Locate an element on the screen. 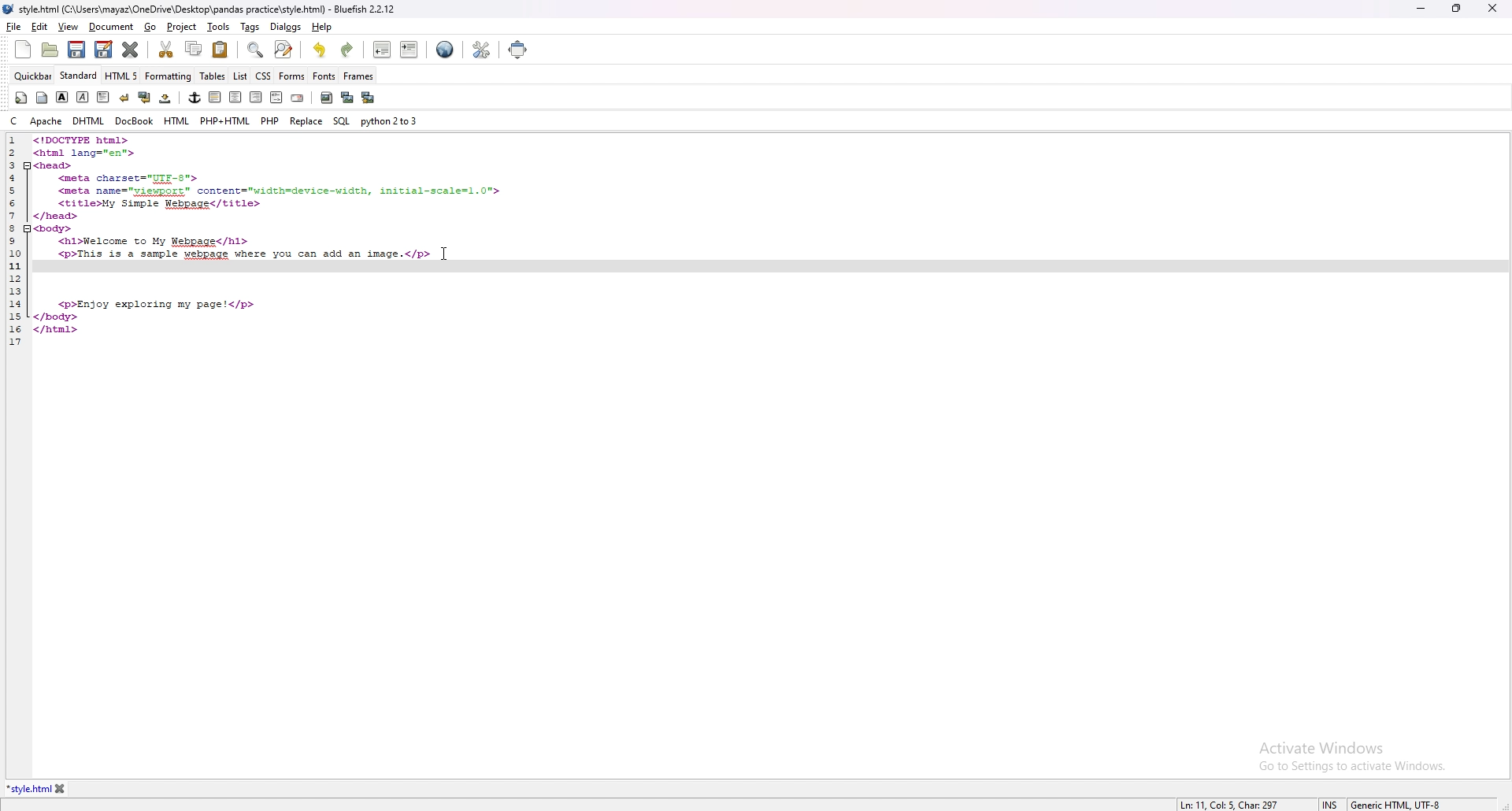 The height and width of the screenshot is (811, 1512). italic is located at coordinates (81, 98).